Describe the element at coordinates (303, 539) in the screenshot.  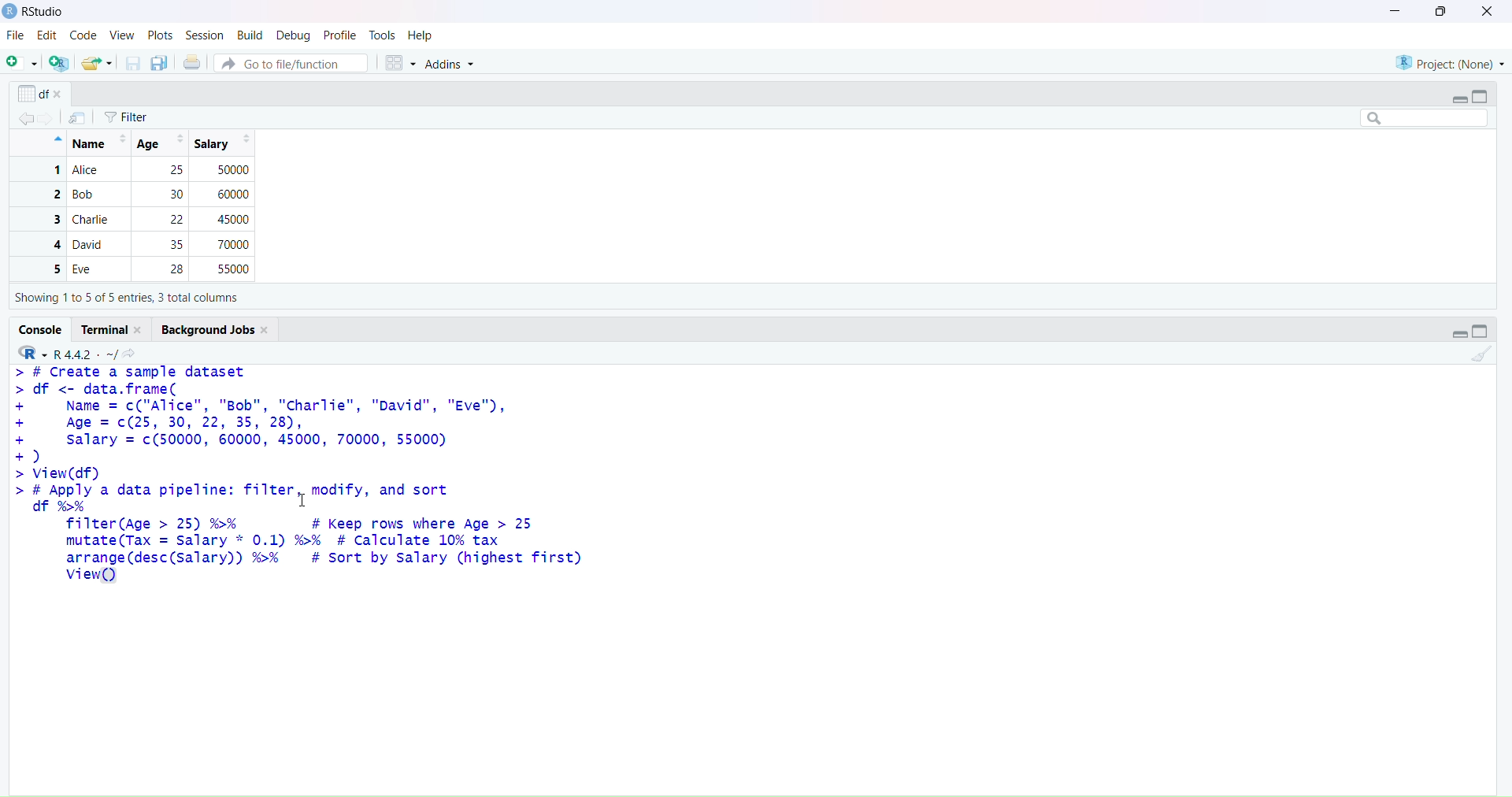
I see `> # Apply a data pipeline: T1lter, moaity, anda sort
df %% T
filter(Age > 25) %% # Keep rows where Age > 25
mutate(Tax = Salary * 0.1) %% # Calculate 10% tax
arrange (desc(Salary)) %% # sort by salary (highest first)
view()` at that location.